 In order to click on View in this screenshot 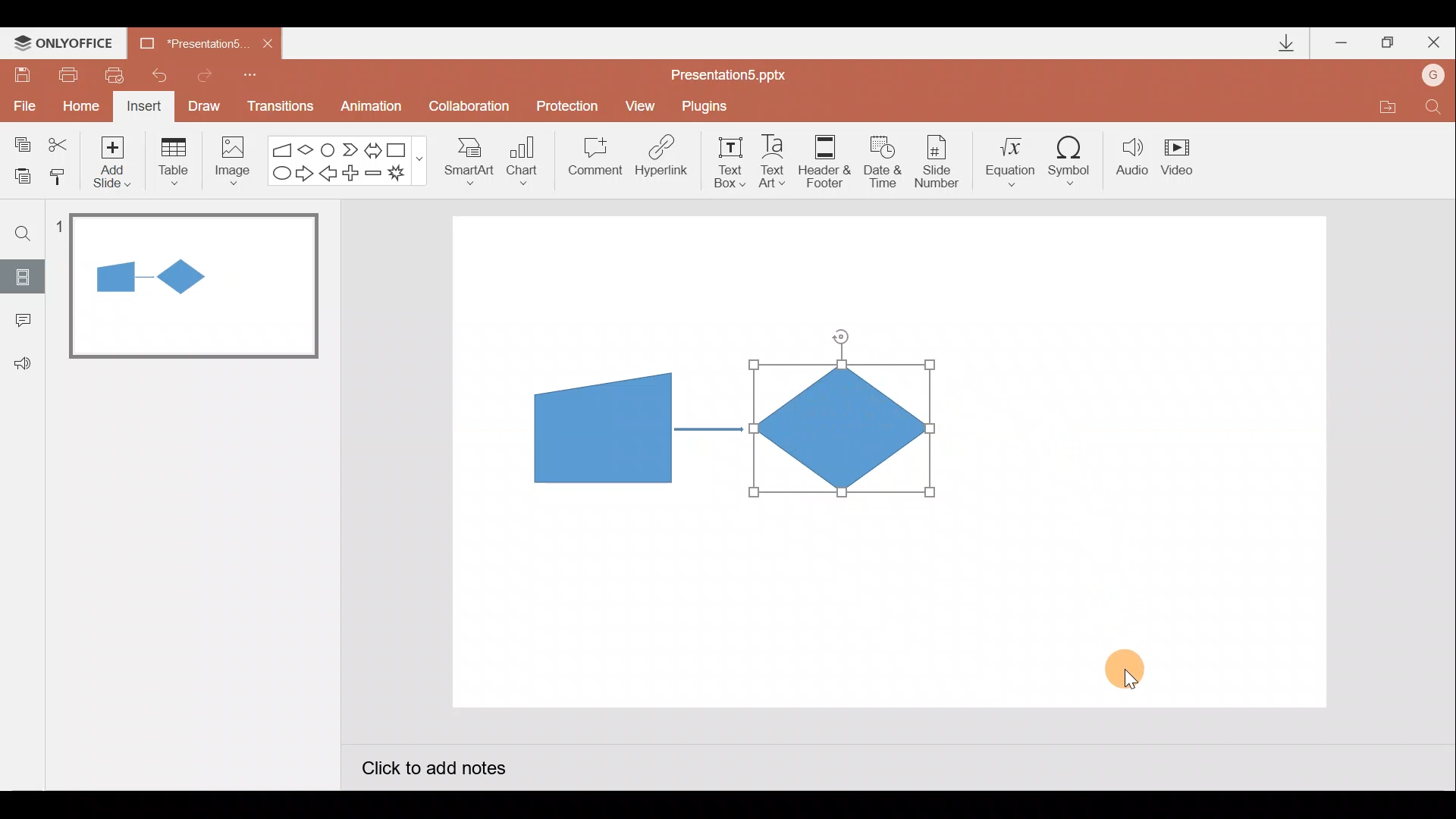, I will do `click(642, 105)`.